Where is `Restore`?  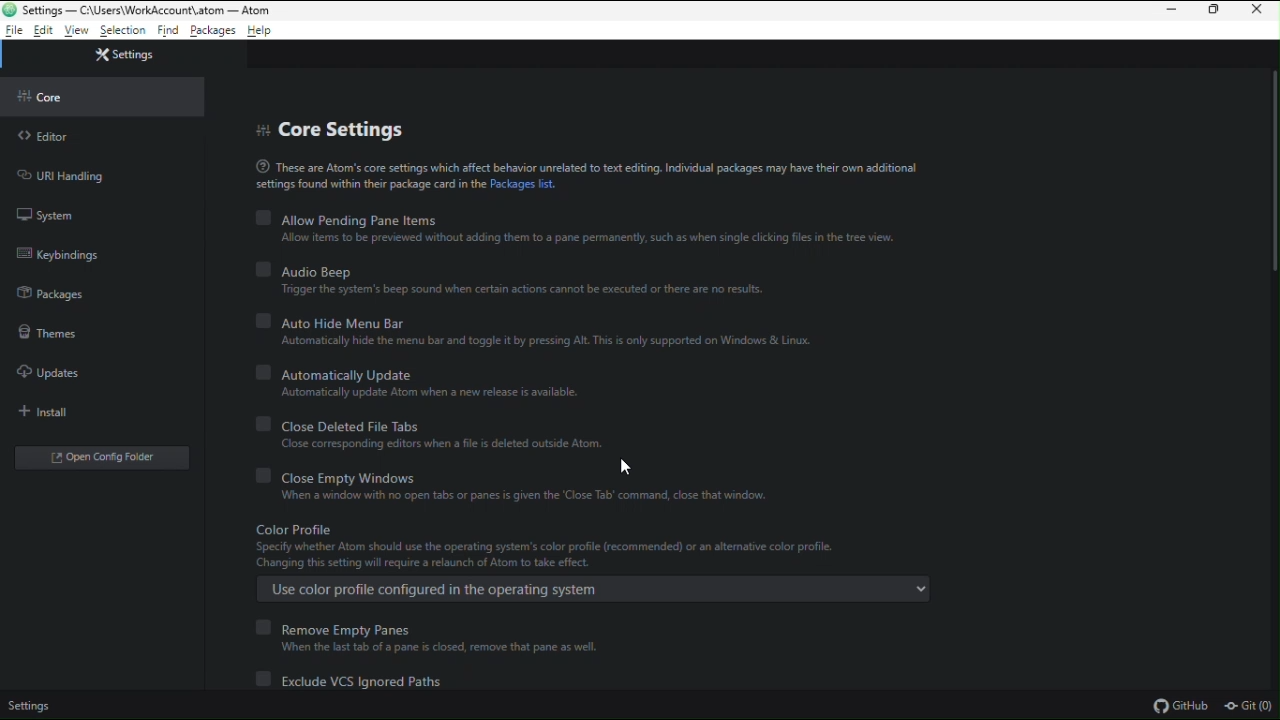 Restore is located at coordinates (1216, 12).